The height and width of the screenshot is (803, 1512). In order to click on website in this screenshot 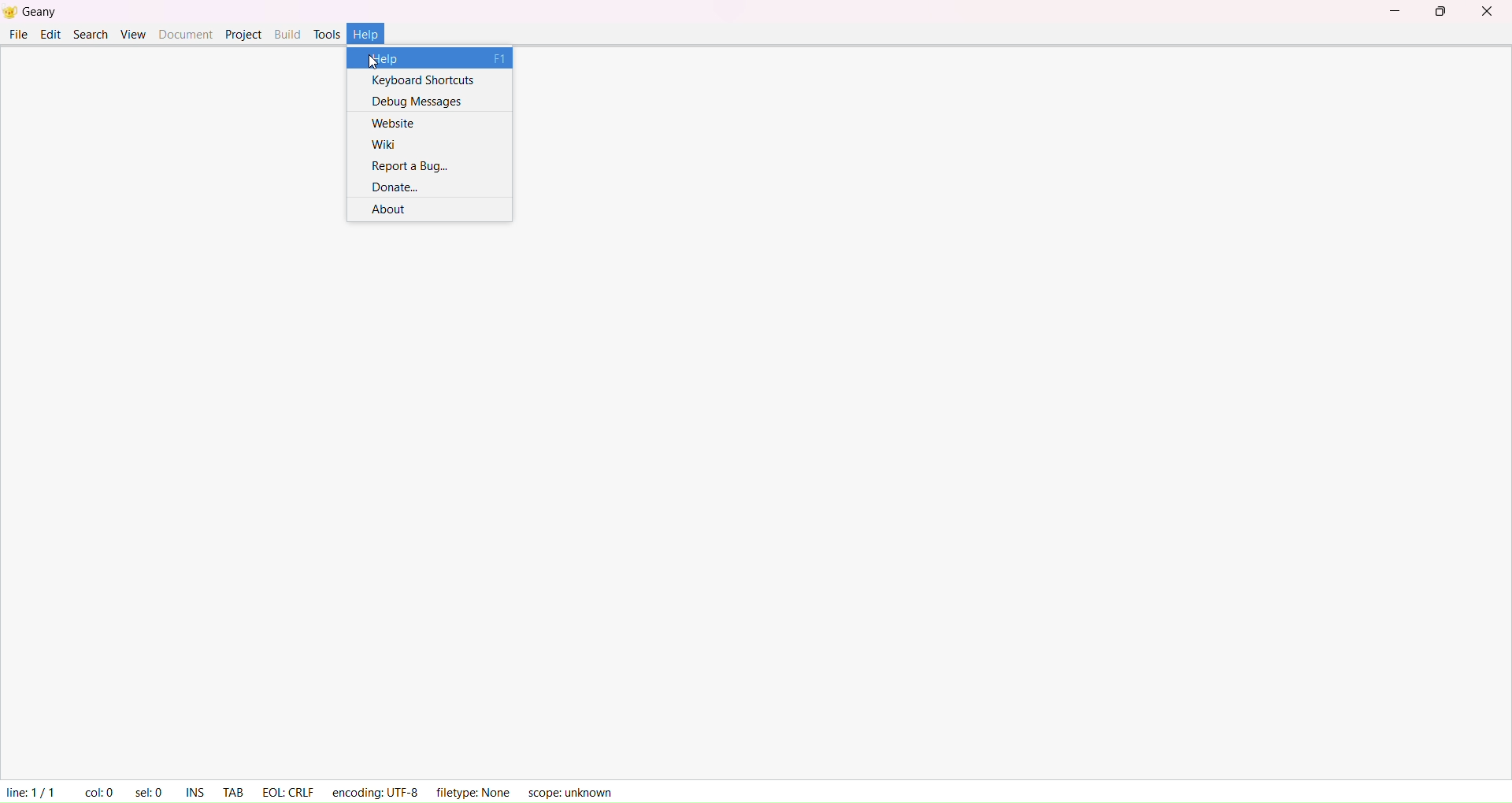, I will do `click(395, 121)`.